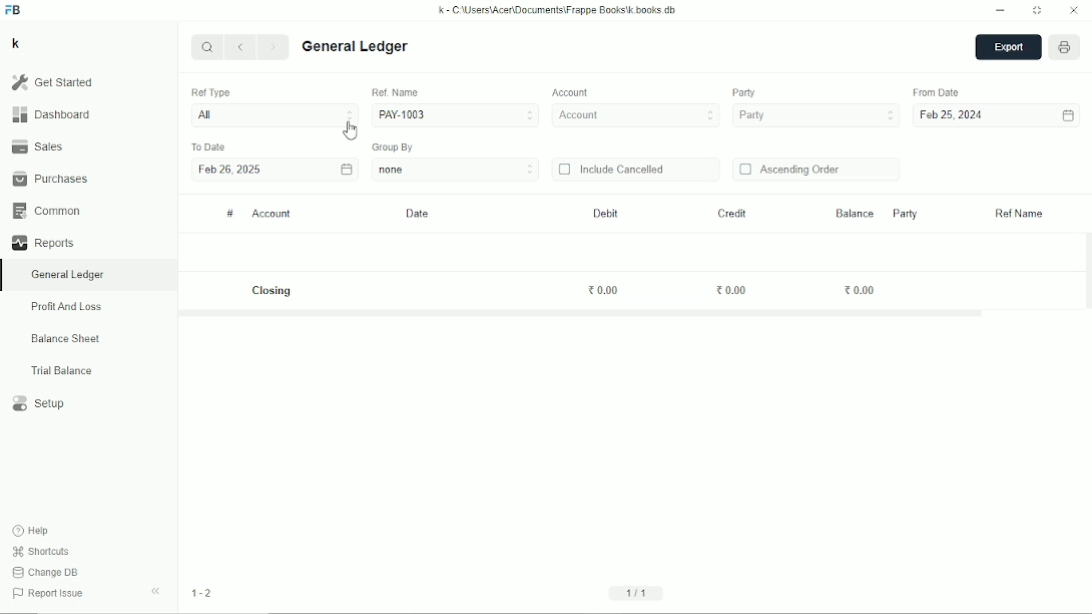 This screenshot has width=1092, height=614. What do you see at coordinates (272, 214) in the screenshot?
I see `Account` at bounding box center [272, 214].